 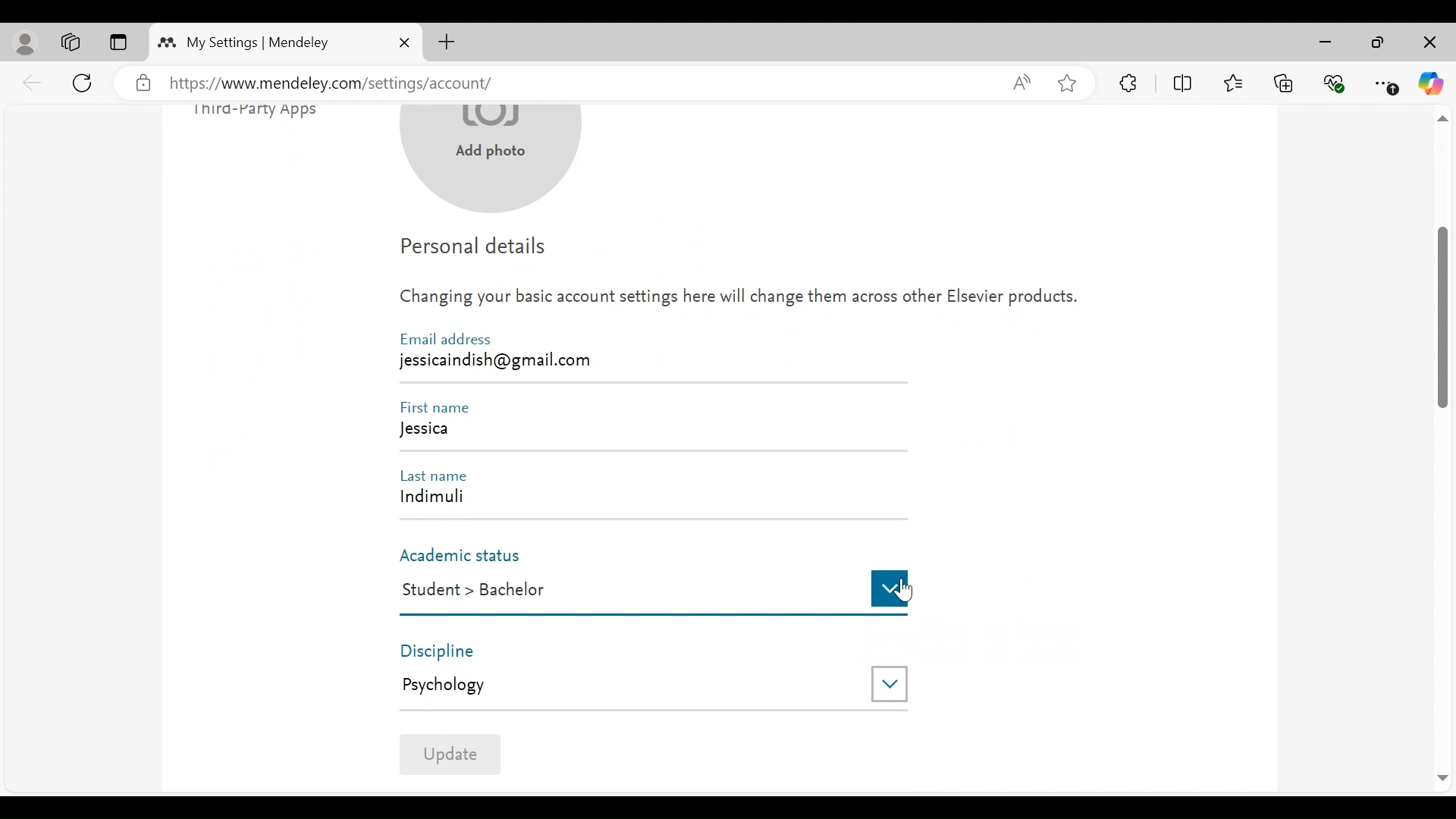 I want to click on Extensions, so click(x=1129, y=83).